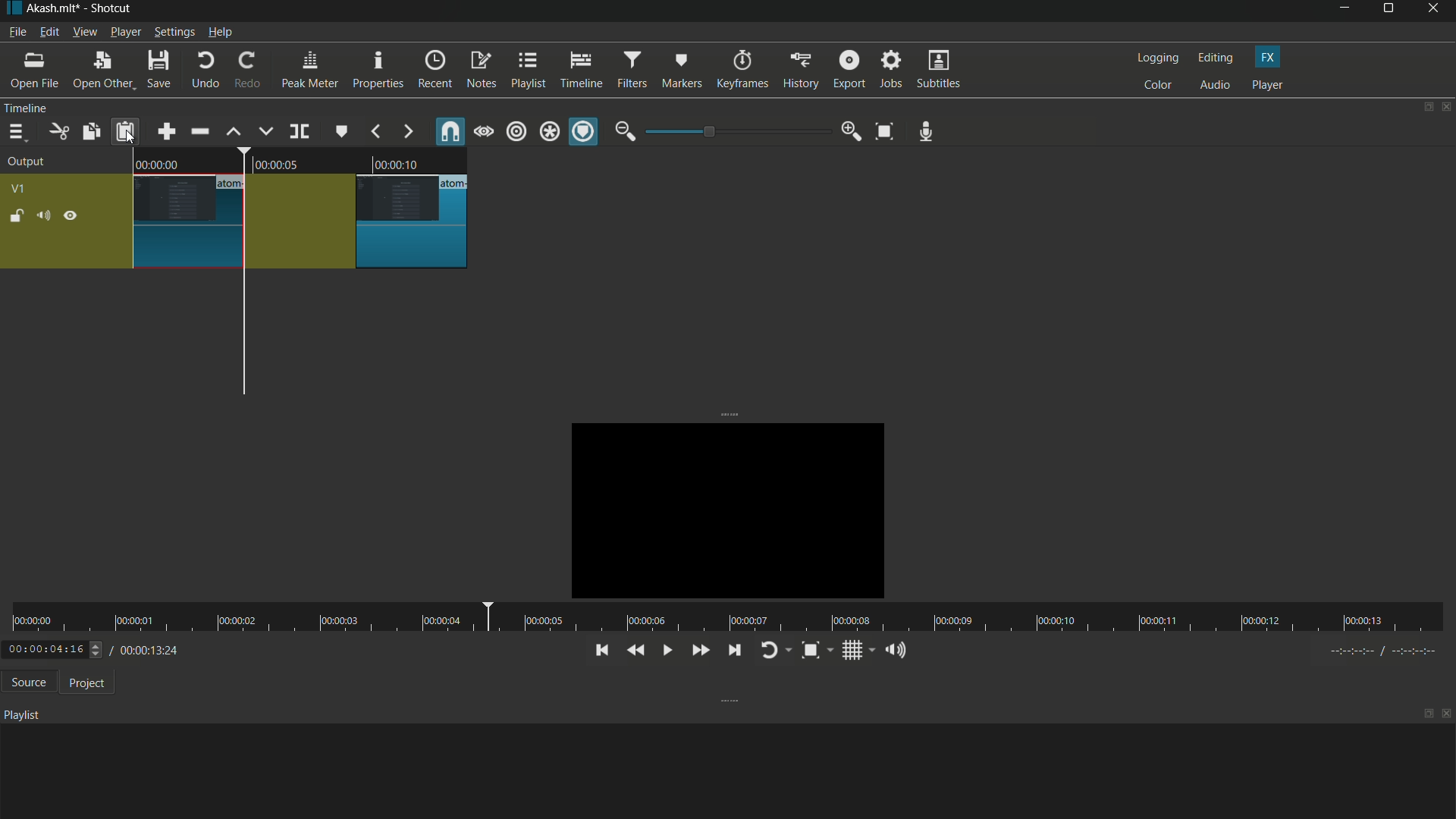  Describe the element at coordinates (722, 617) in the screenshot. I see `time` at that location.